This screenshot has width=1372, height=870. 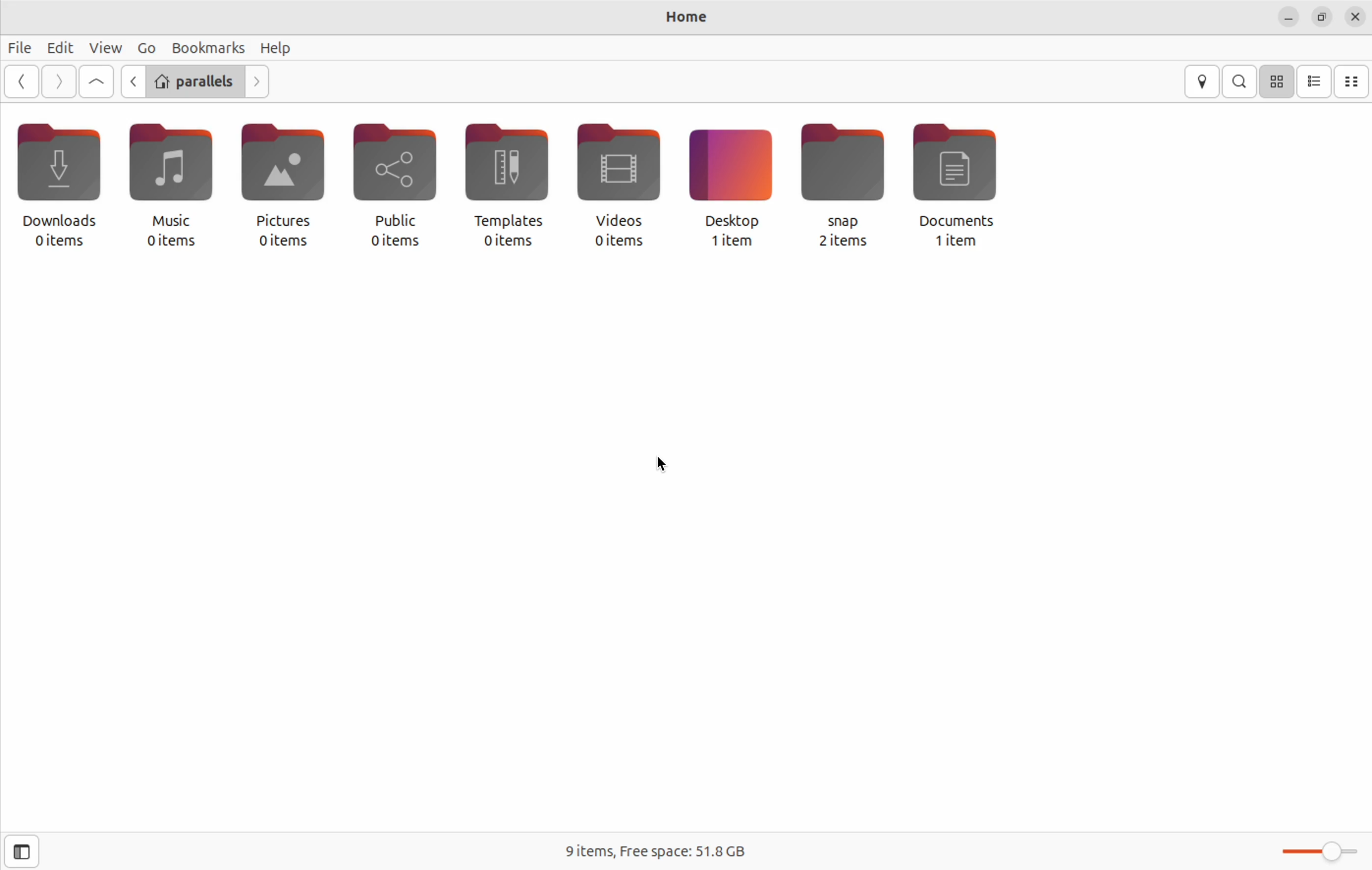 I want to click on files, so click(x=22, y=48).